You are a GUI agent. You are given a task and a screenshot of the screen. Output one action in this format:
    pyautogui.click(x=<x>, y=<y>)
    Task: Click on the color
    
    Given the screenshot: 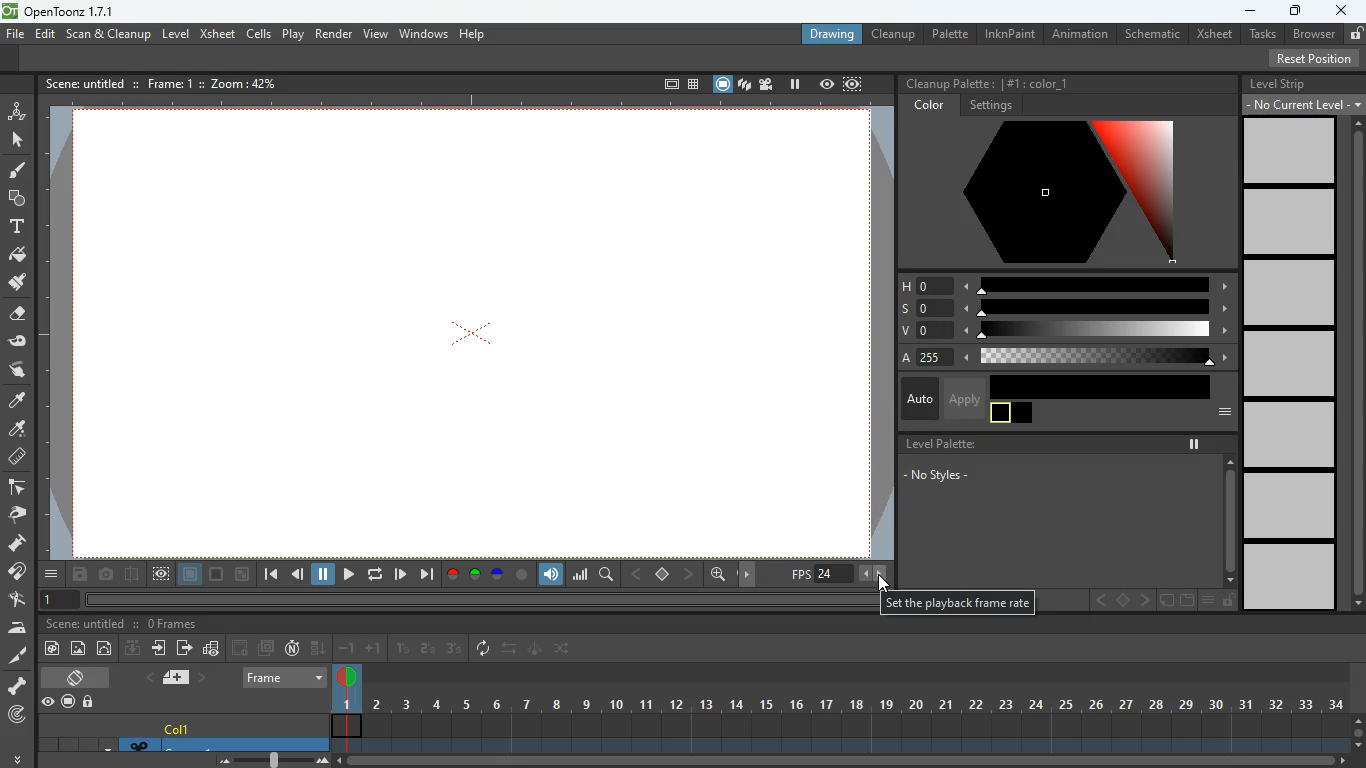 What is the action you would take?
    pyautogui.click(x=930, y=105)
    